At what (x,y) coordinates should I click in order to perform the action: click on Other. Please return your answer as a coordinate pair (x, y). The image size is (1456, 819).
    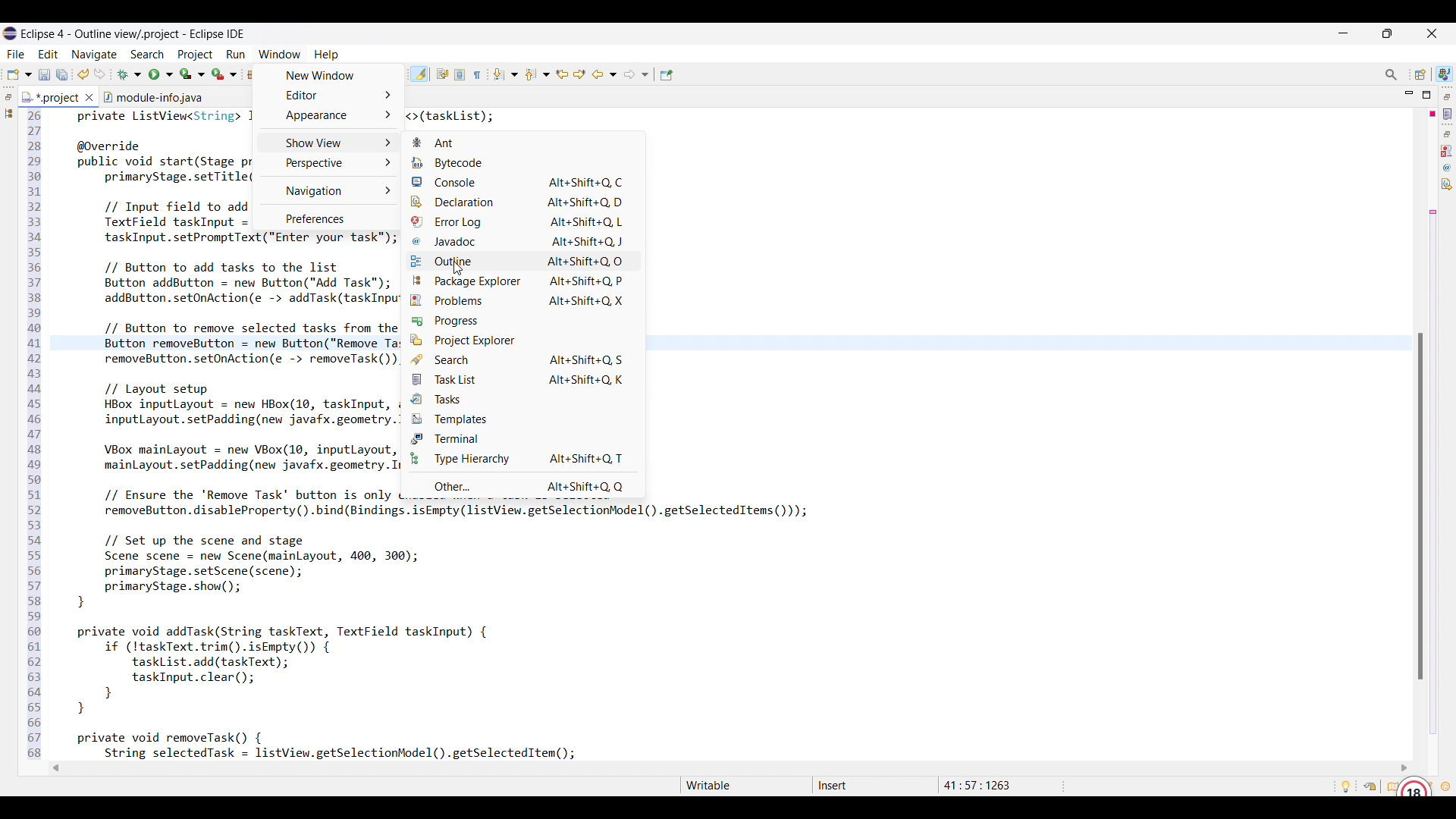
    Looking at the image, I should click on (524, 485).